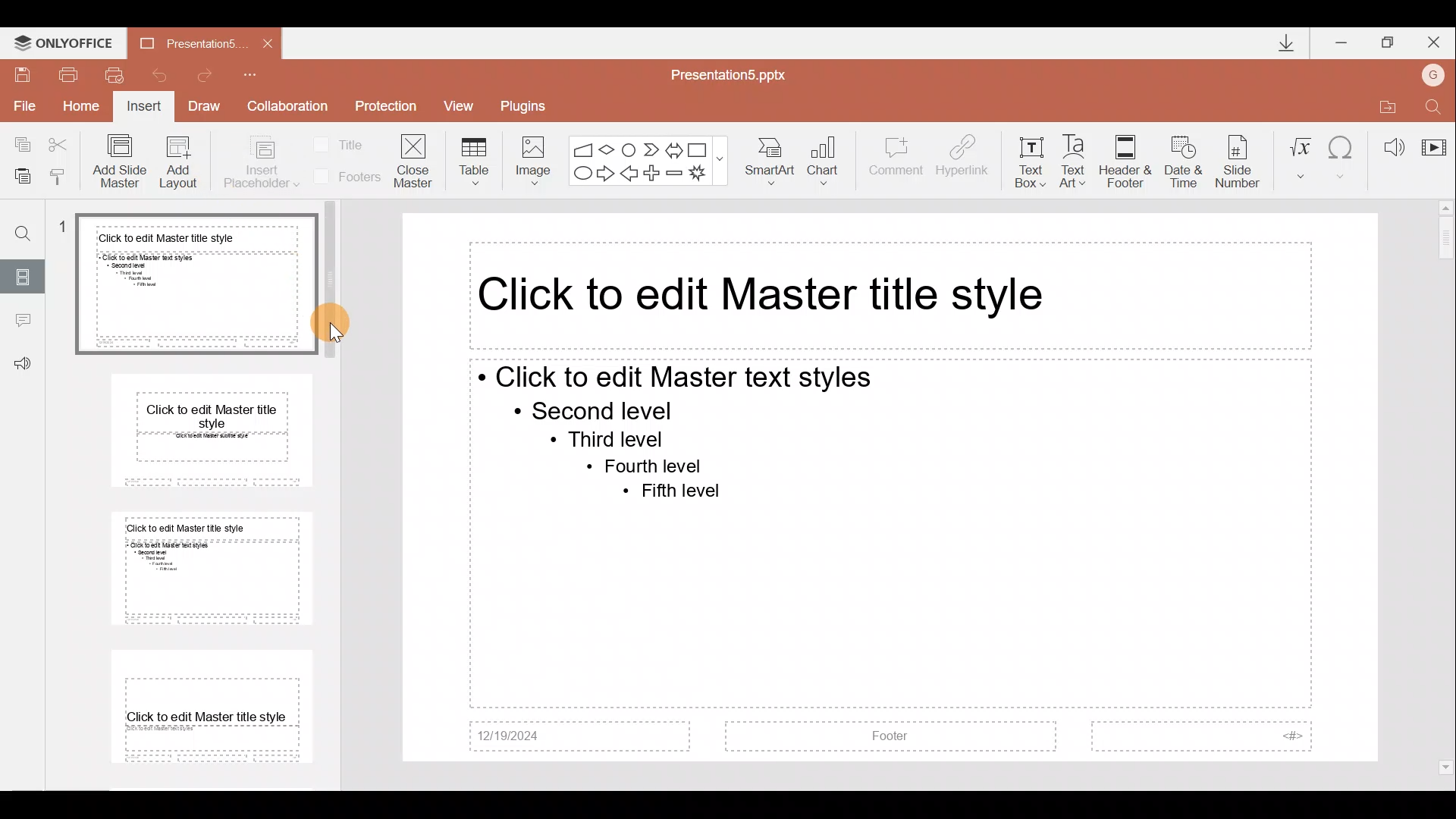 Image resolution: width=1456 pixels, height=819 pixels. Describe the element at coordinates (964, 158) in the screenshot. I see `Hyperlink` at that location.